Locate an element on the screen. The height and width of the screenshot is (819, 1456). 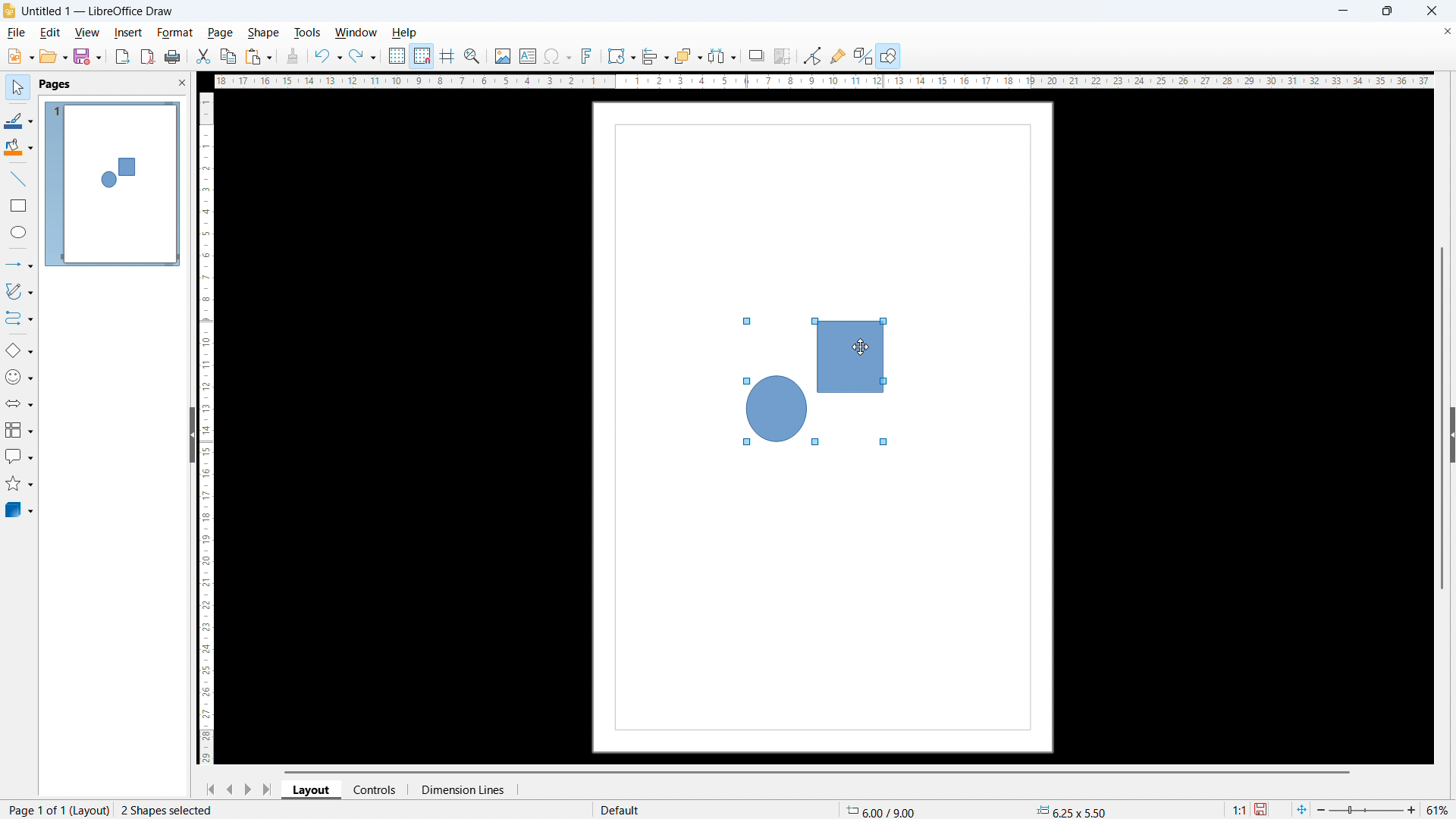
export as pdf is located at coordinates (148, 57).